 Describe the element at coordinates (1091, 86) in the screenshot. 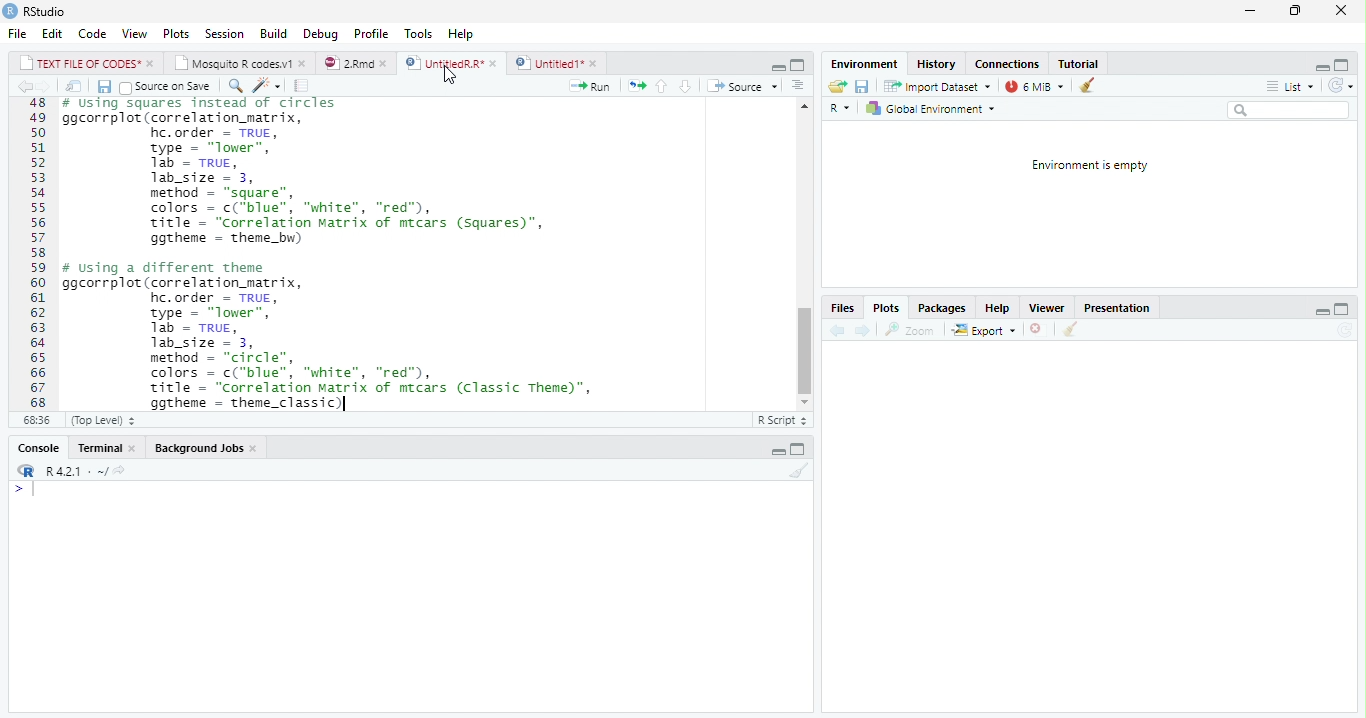

I see `clear history` at that location.